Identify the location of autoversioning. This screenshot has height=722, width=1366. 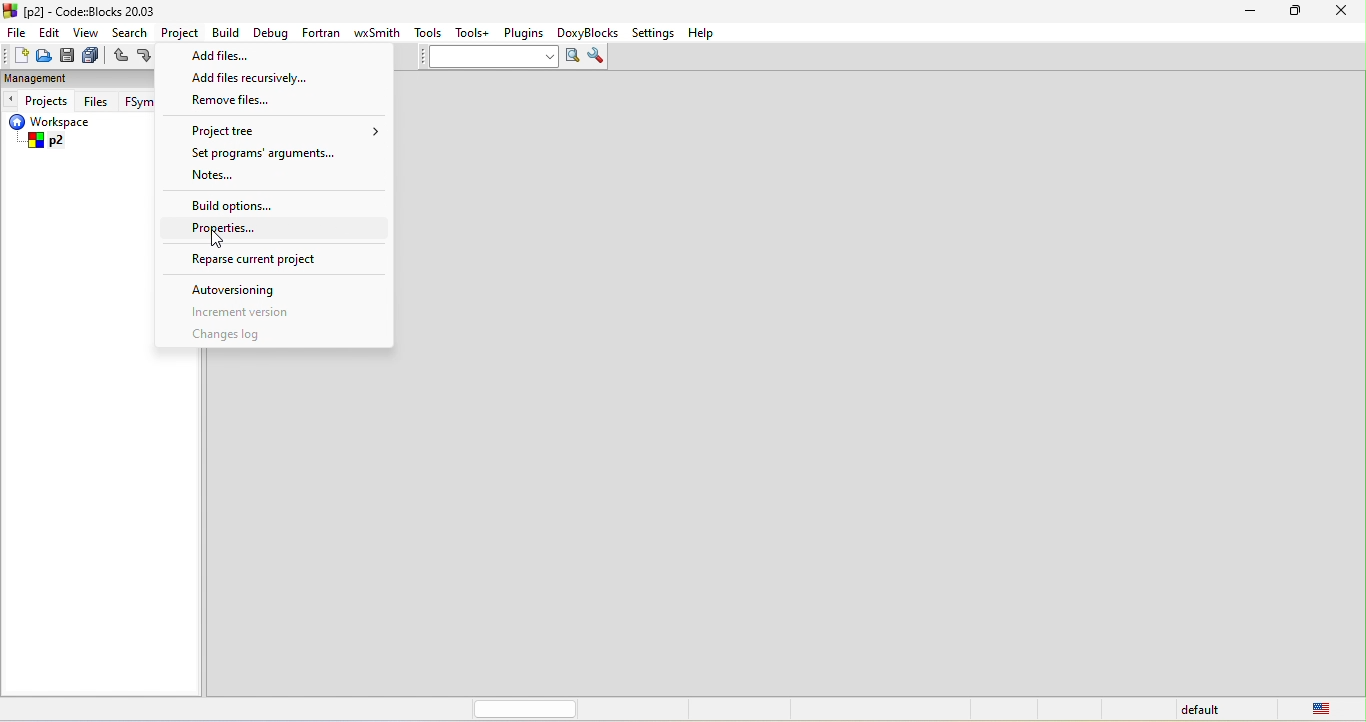
(245, 290).